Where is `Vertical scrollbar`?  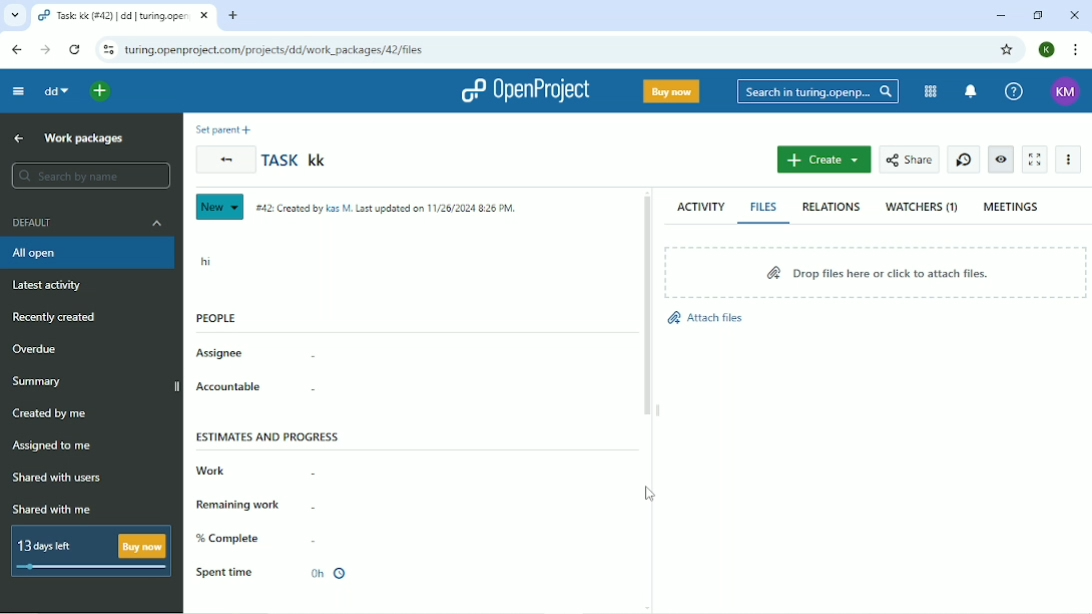 Vertical scrollbar is located at coordinates (646, 307).